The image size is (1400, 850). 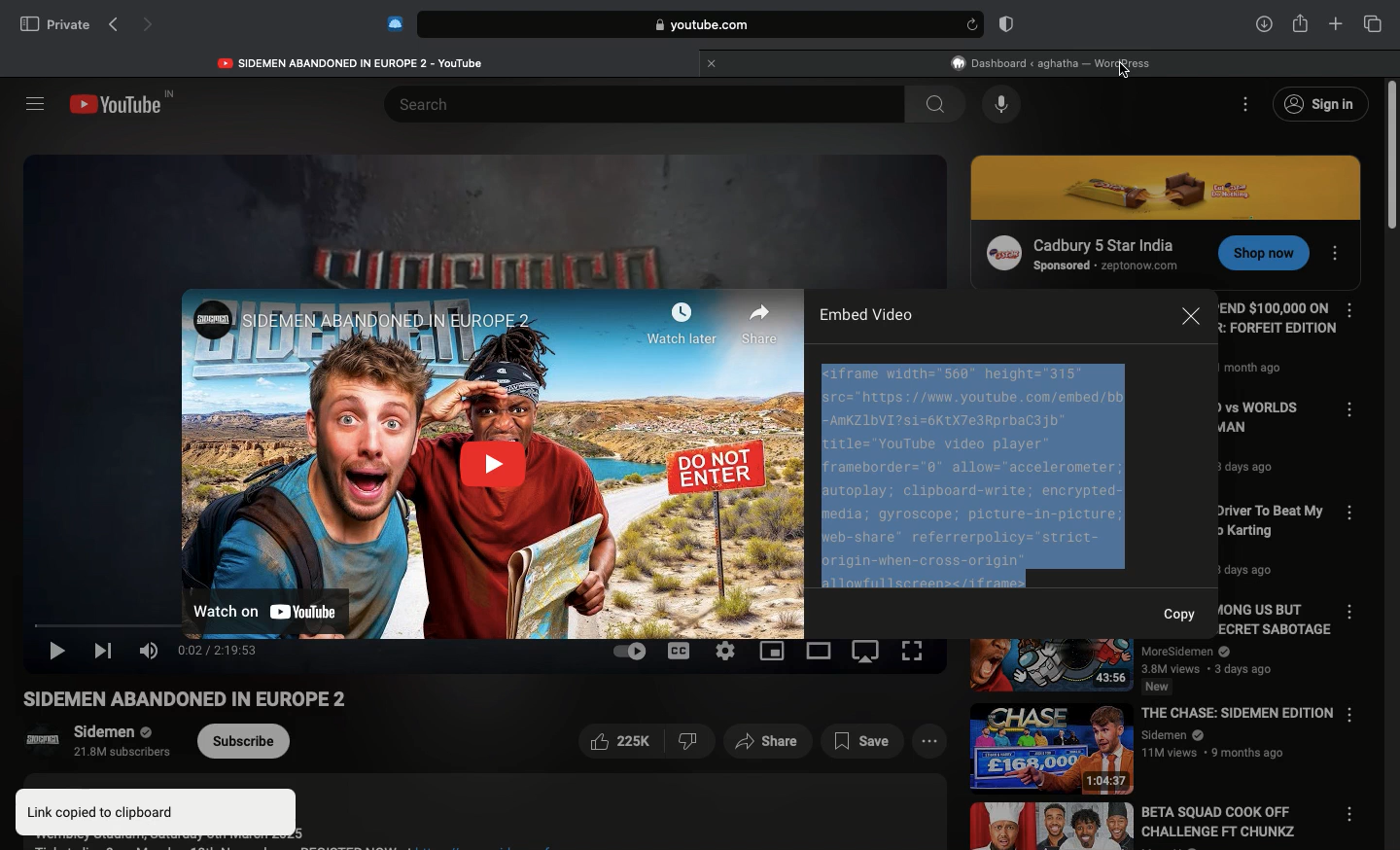 What do you see at coordinates (150, 26) in the screenshot?
I see `Next page` at bounding box center [150, 26].